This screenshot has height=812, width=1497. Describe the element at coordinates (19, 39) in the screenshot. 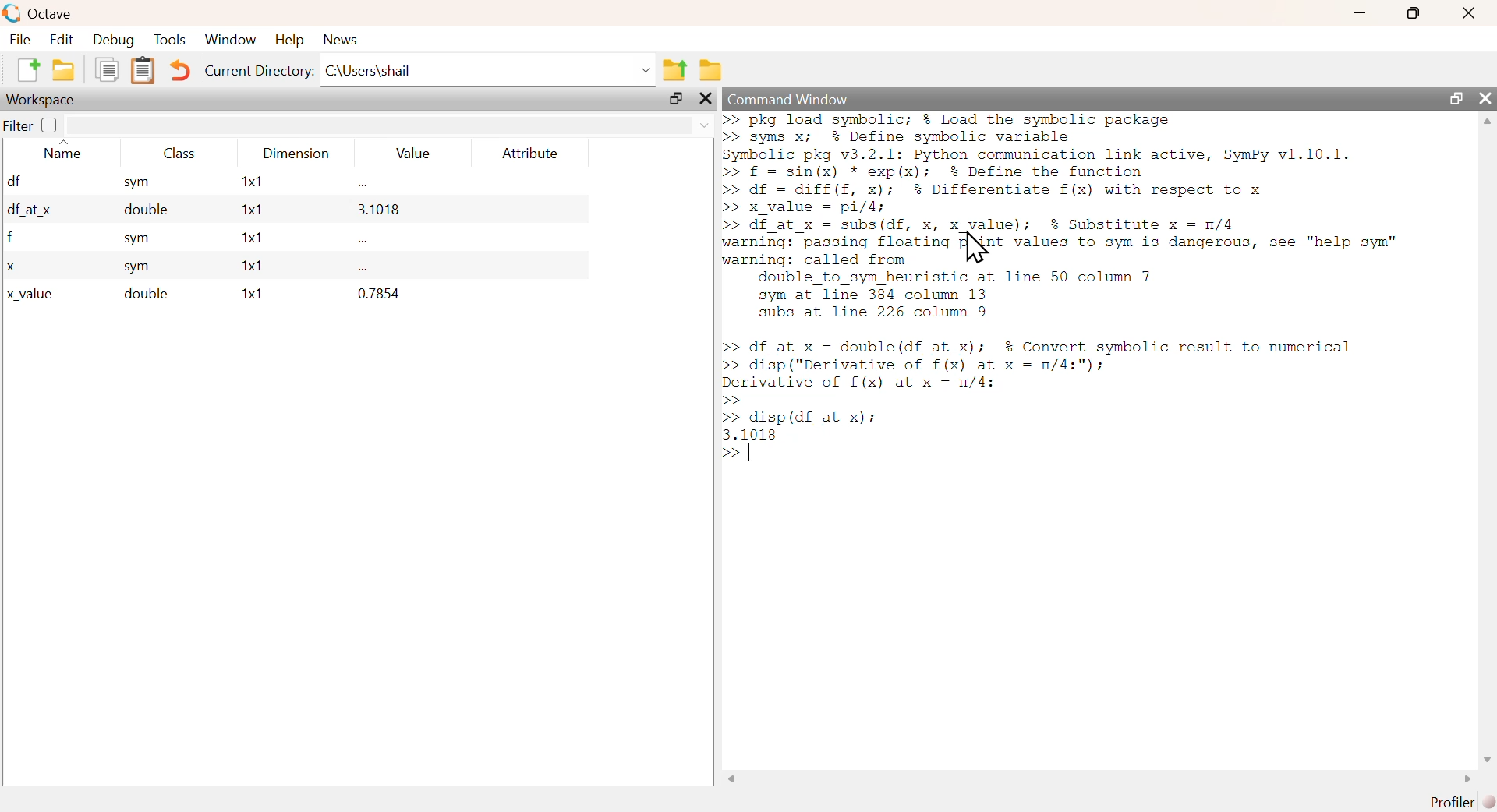

I see `File` at that location.